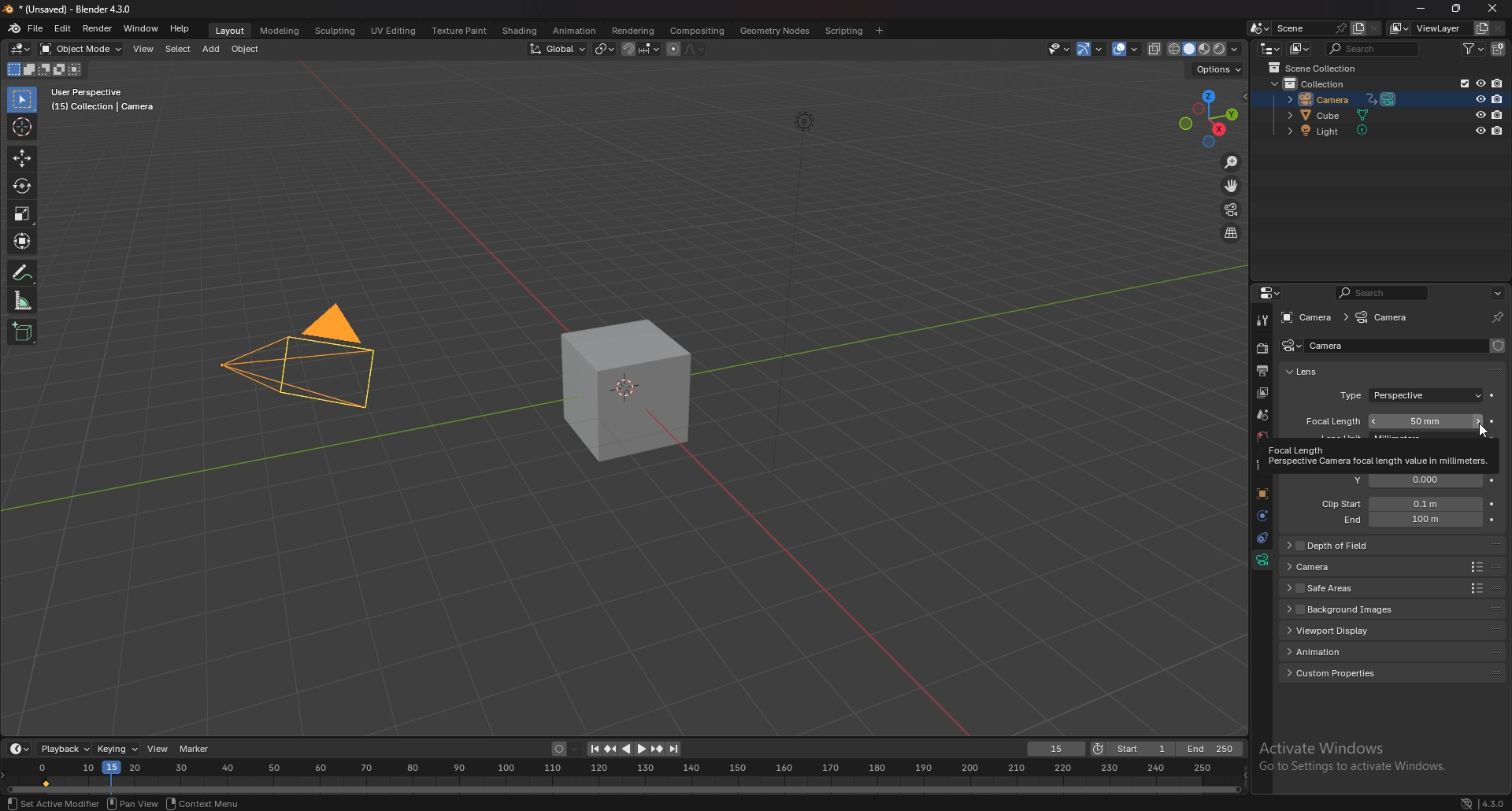  Describe the element at coordinates (24, 213) in the screenshot. I see `scale` at that location.